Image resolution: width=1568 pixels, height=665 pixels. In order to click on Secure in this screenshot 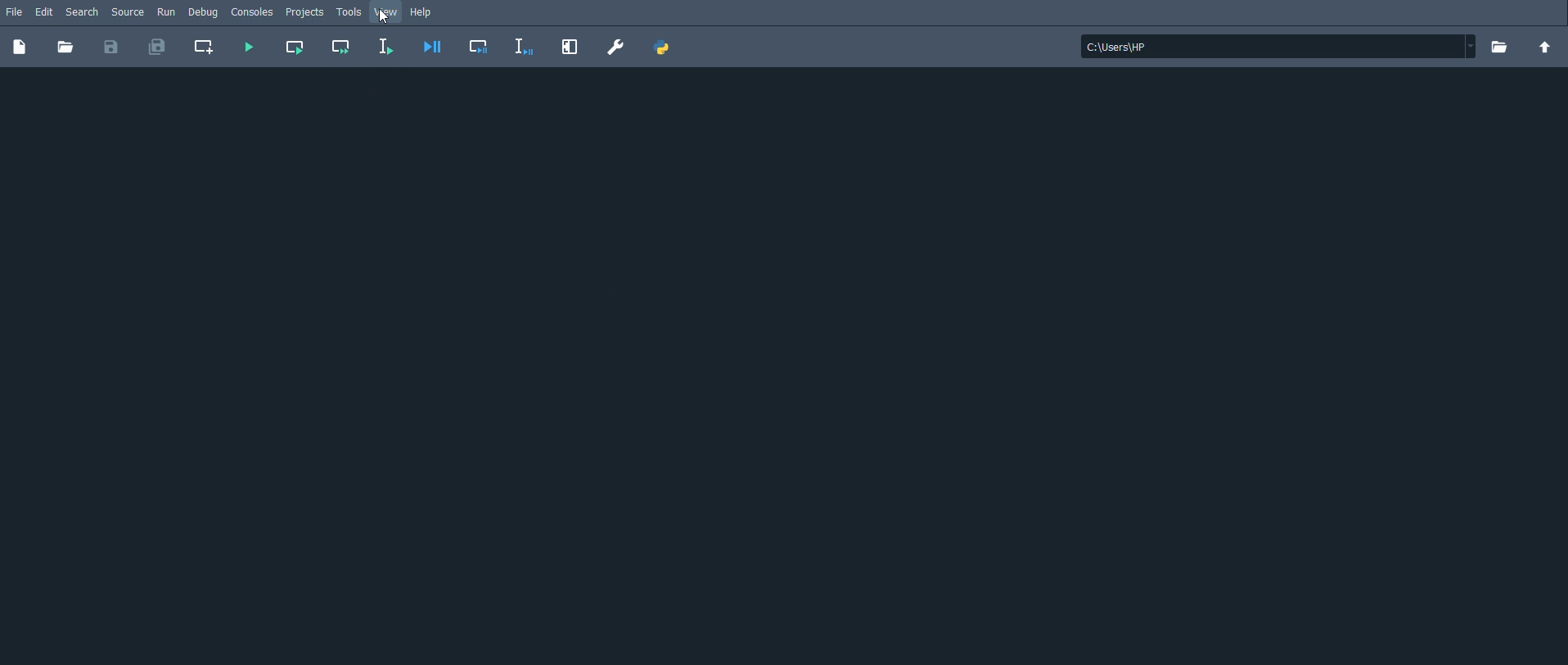, I will do `click(130, 12)`.